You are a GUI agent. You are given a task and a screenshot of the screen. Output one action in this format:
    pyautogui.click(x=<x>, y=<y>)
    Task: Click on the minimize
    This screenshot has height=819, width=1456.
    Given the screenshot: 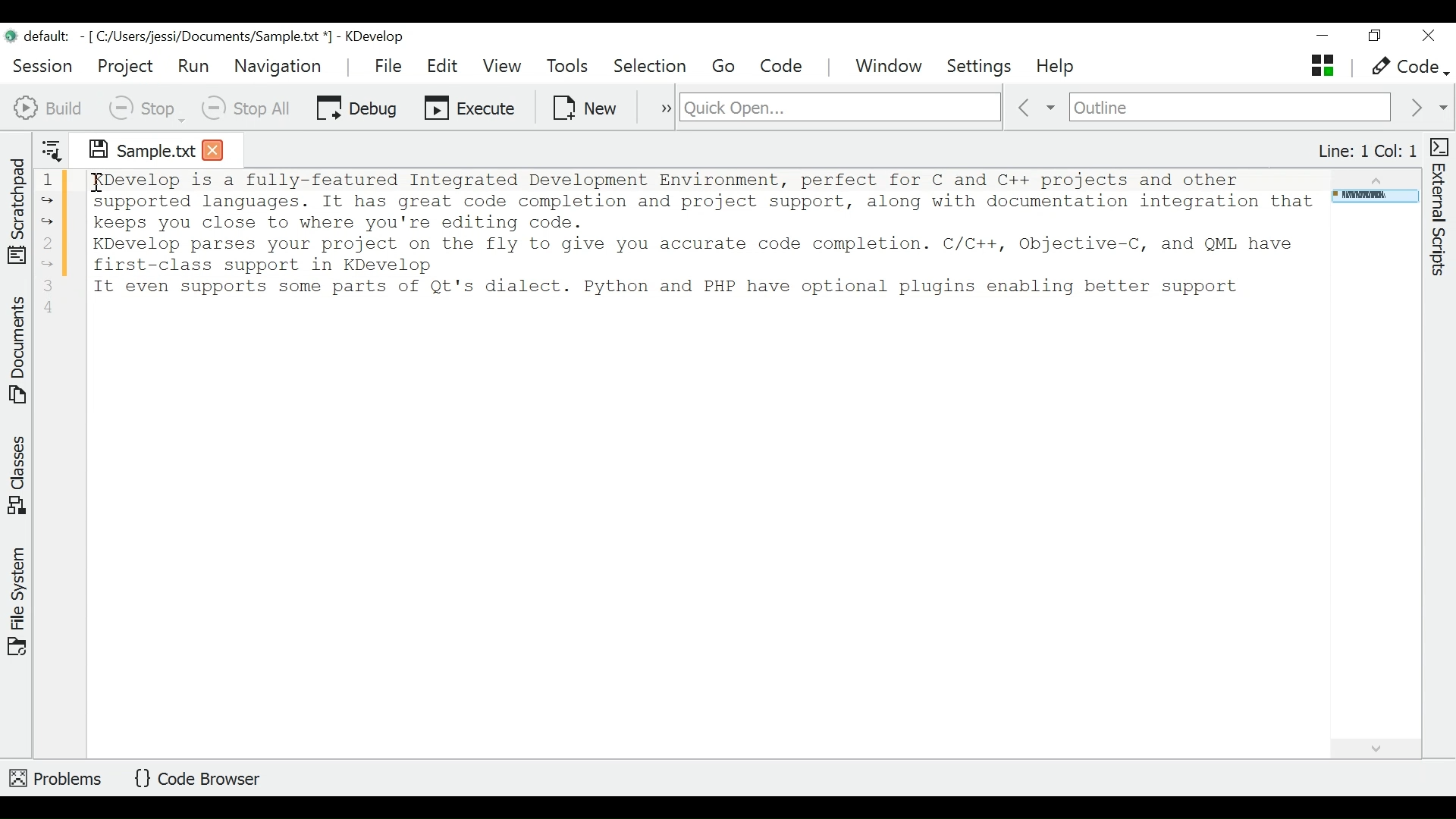 What is the action you would take?
    pyautogui.click(x=1325, y=37)
    